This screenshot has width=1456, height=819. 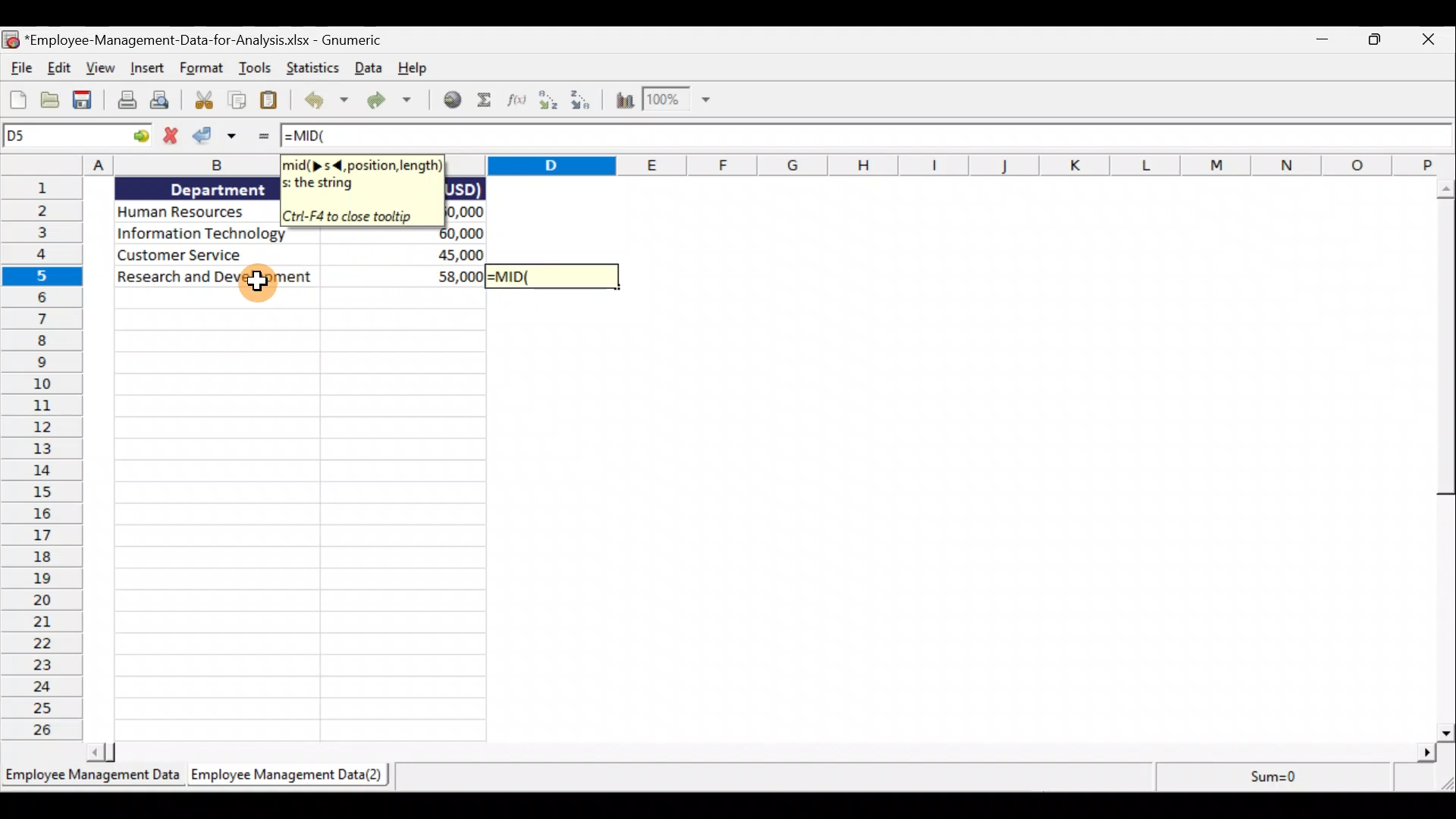 I want to click on File, so click(x=19, y=67).